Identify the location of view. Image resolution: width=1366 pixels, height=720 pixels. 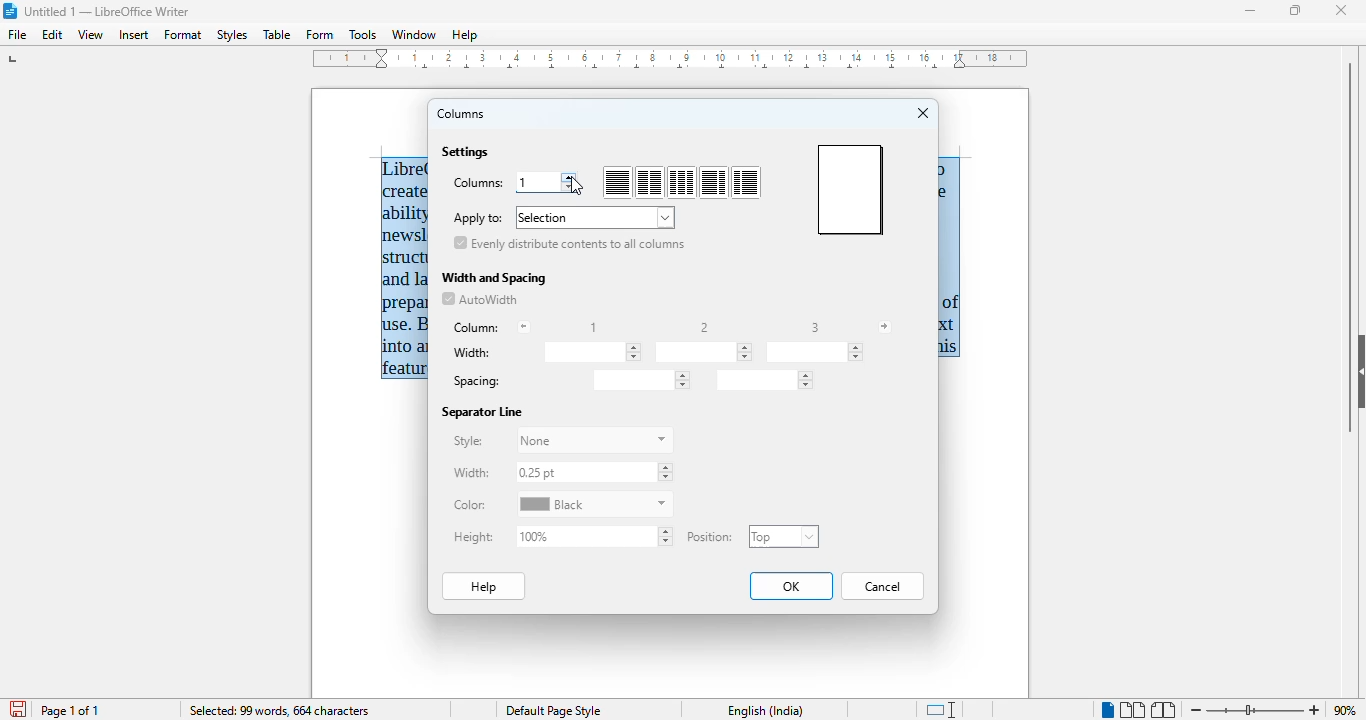
(90, 35).